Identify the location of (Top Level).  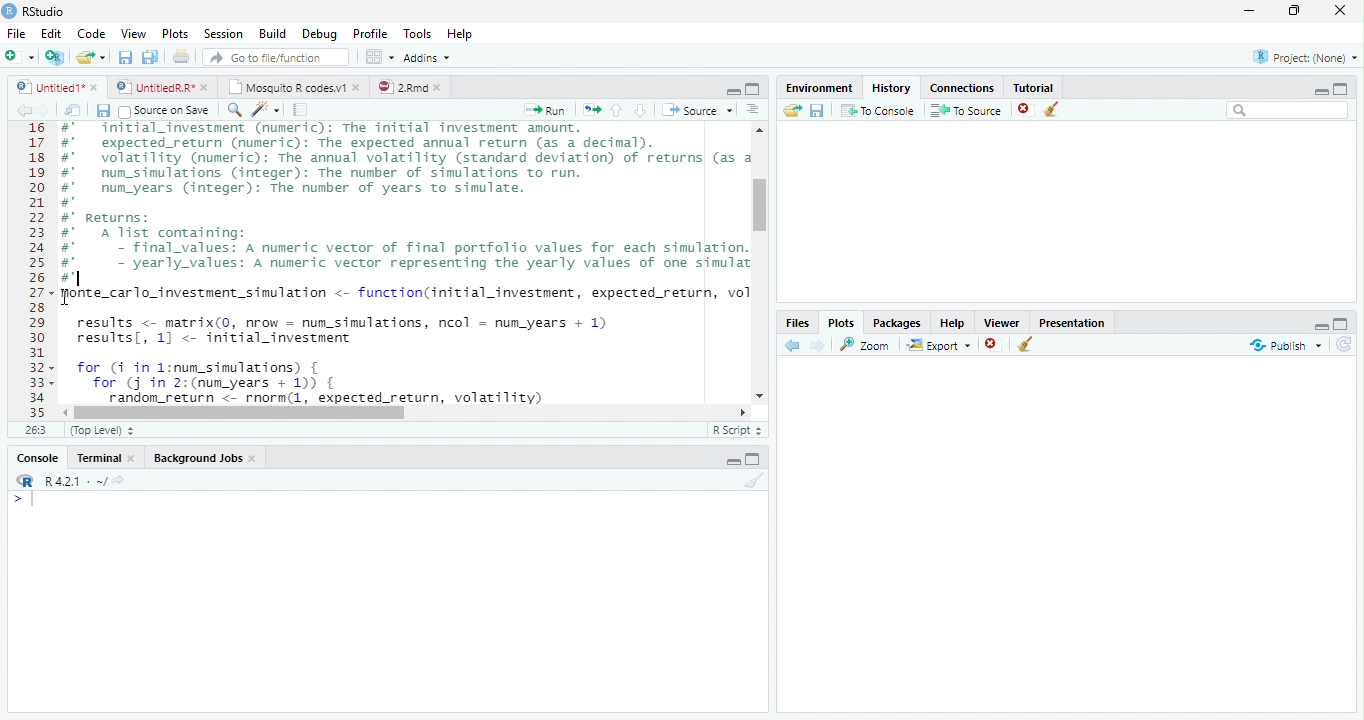
(102, 431).